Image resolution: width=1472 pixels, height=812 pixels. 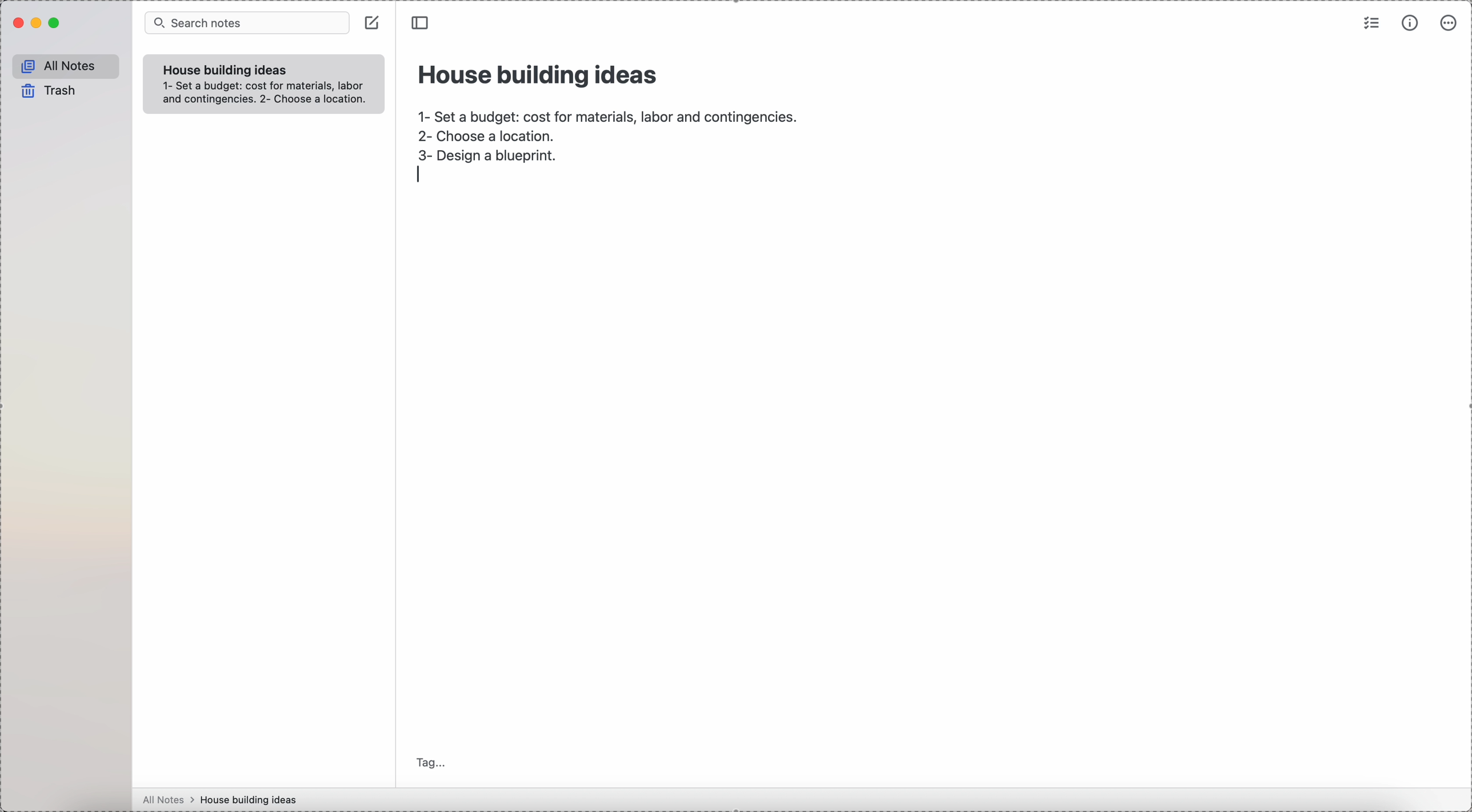 I want to click on create note, so click(x=374, y=26).